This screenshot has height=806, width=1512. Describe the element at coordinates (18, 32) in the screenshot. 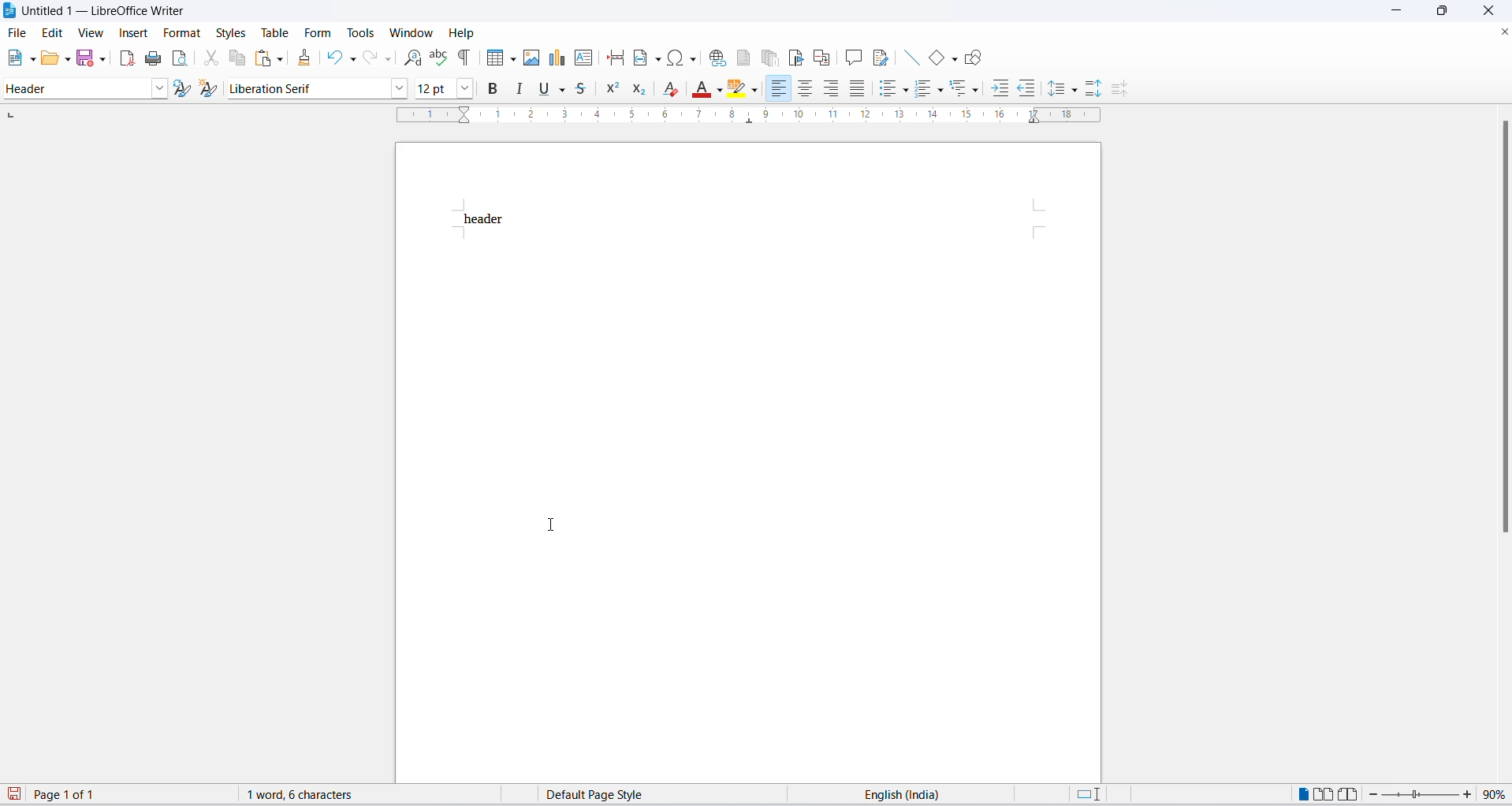

I see `file` at that location.